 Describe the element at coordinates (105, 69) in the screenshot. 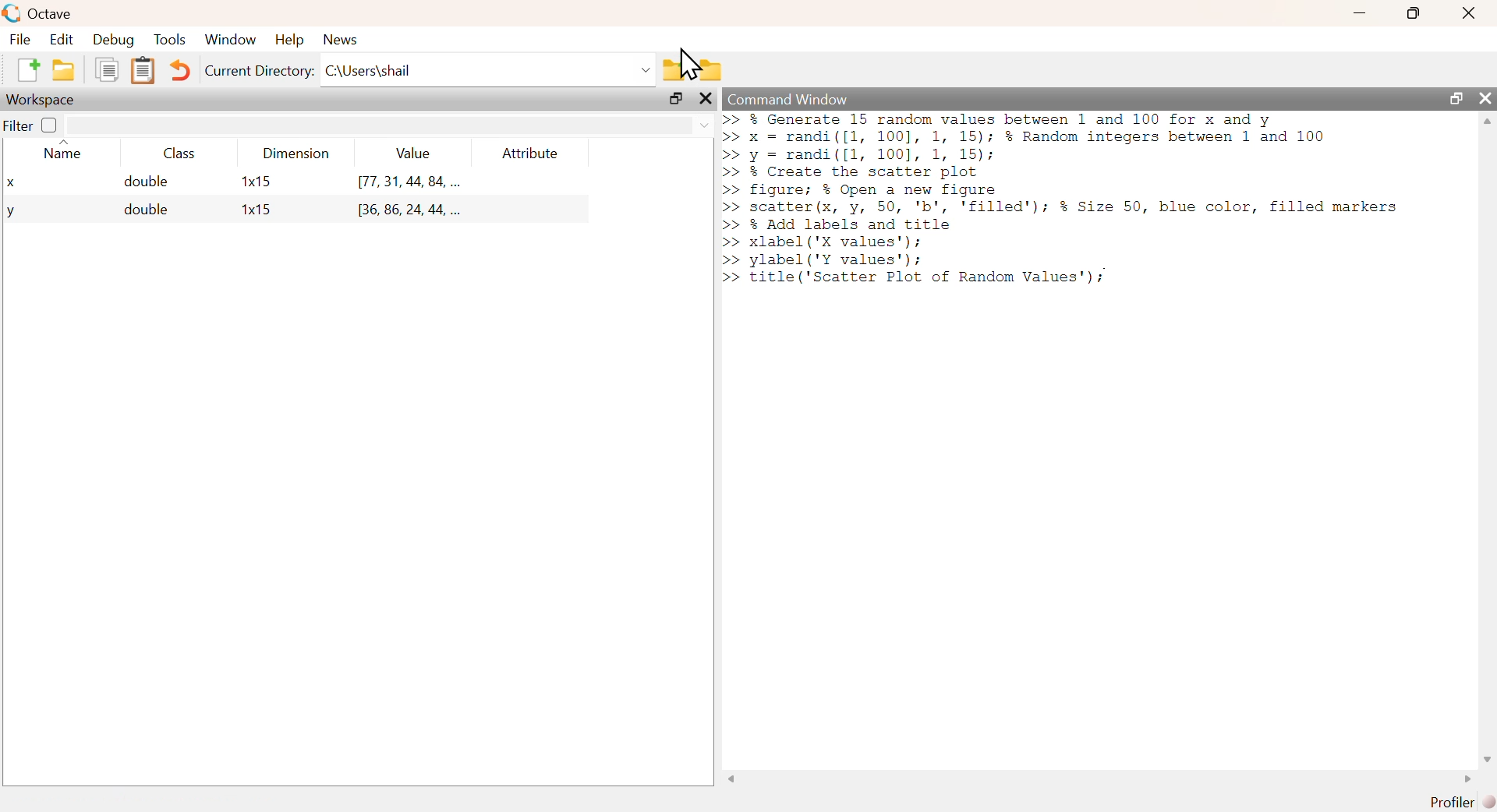

I see `Duplicate` at that location.